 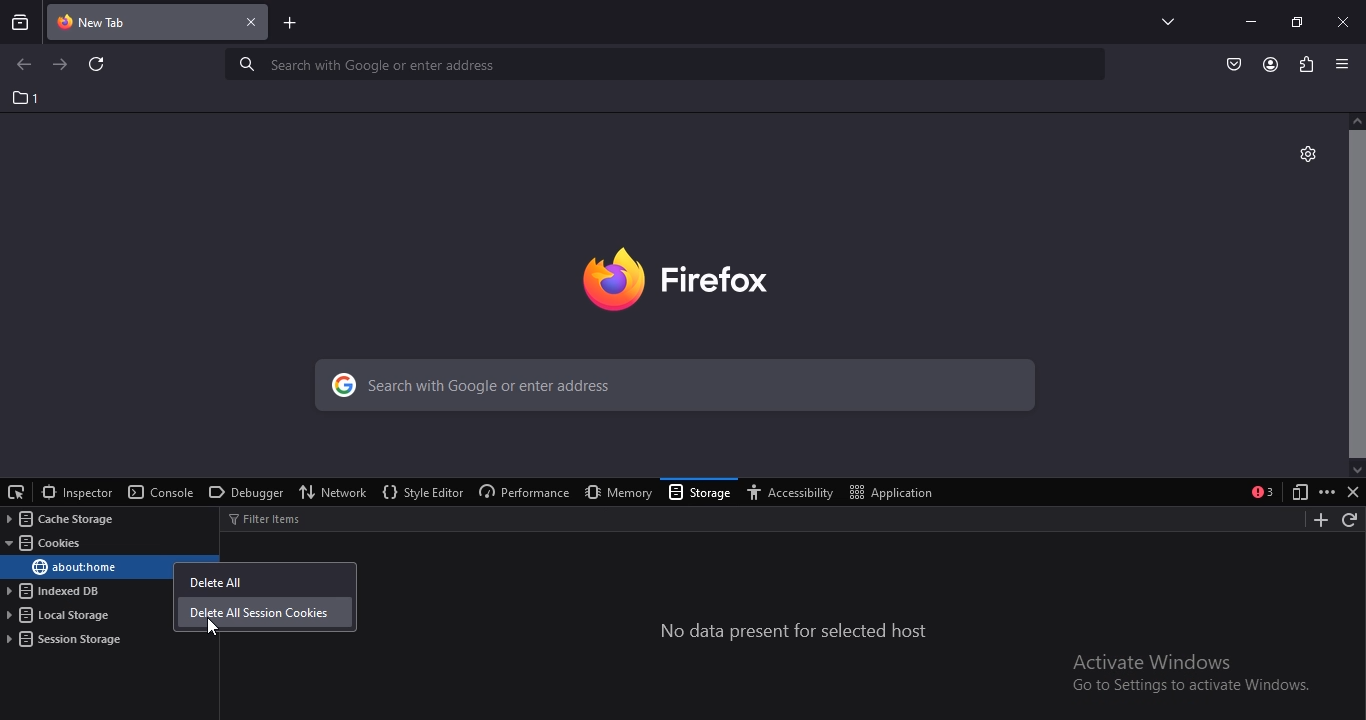 I want to click on local storage, so click(x=61, y=616).